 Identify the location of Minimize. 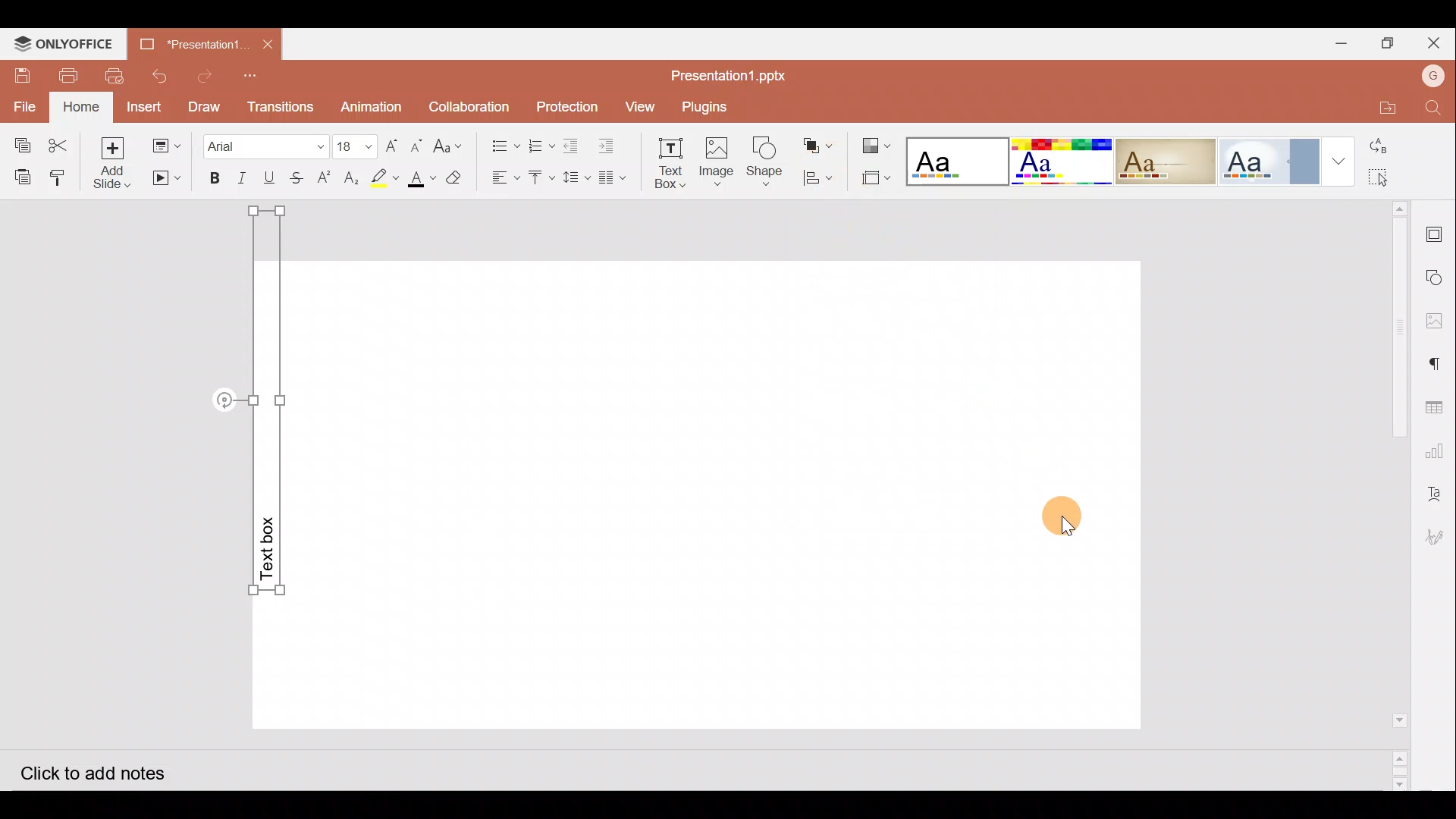
(1341, 42).